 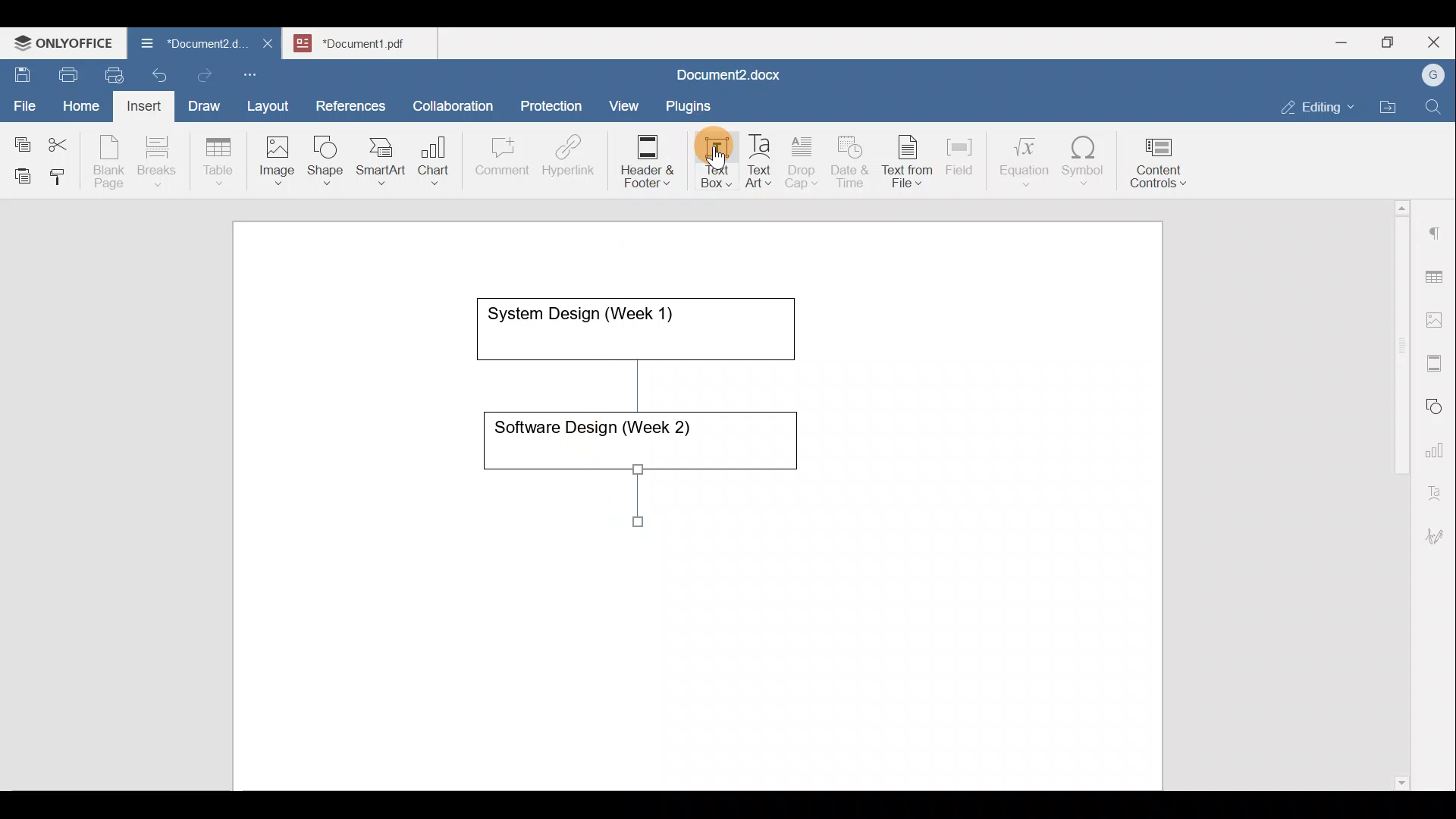 I want to click on Editing mode, so click(x=1318, y=104).